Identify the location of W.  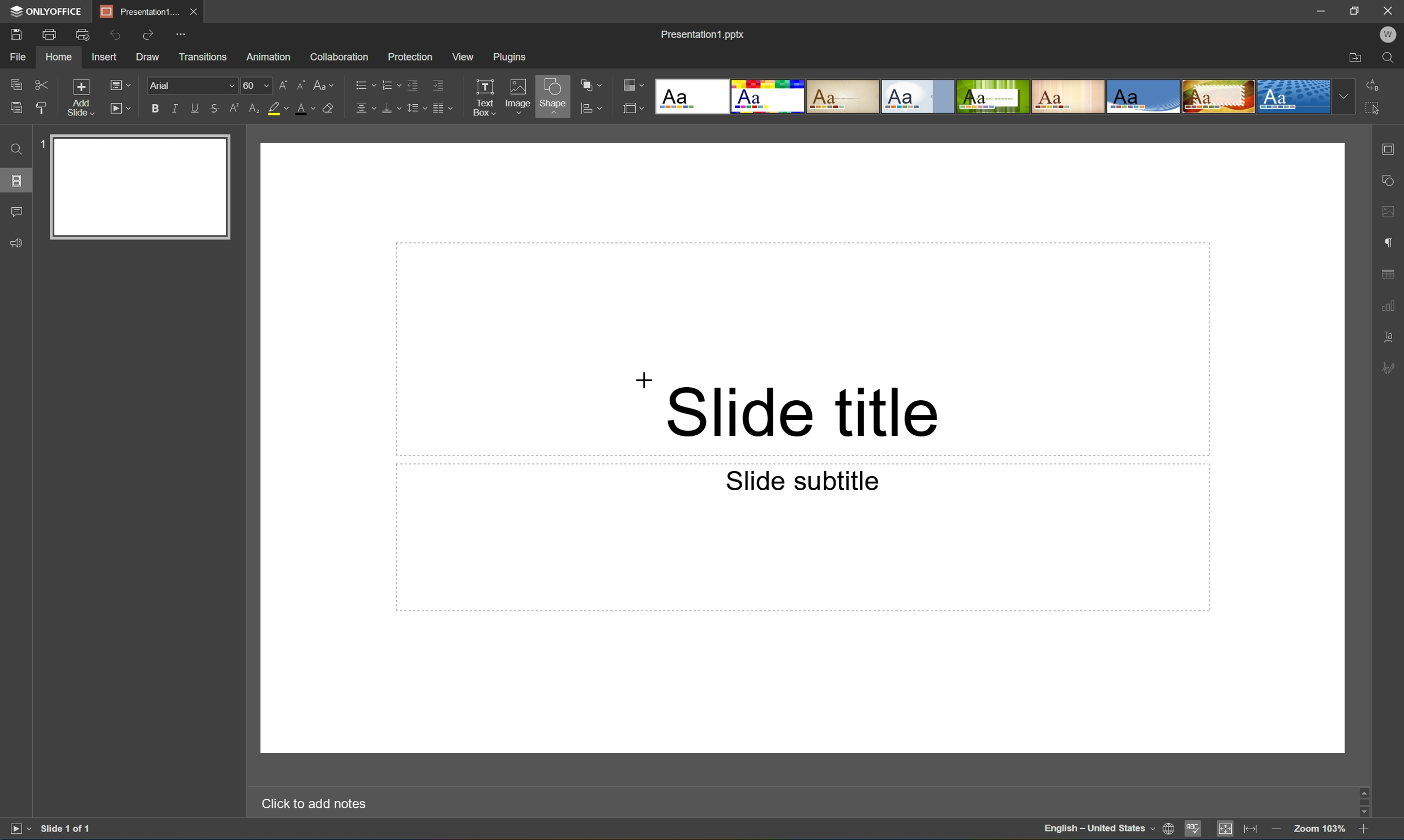
(1388, 32).